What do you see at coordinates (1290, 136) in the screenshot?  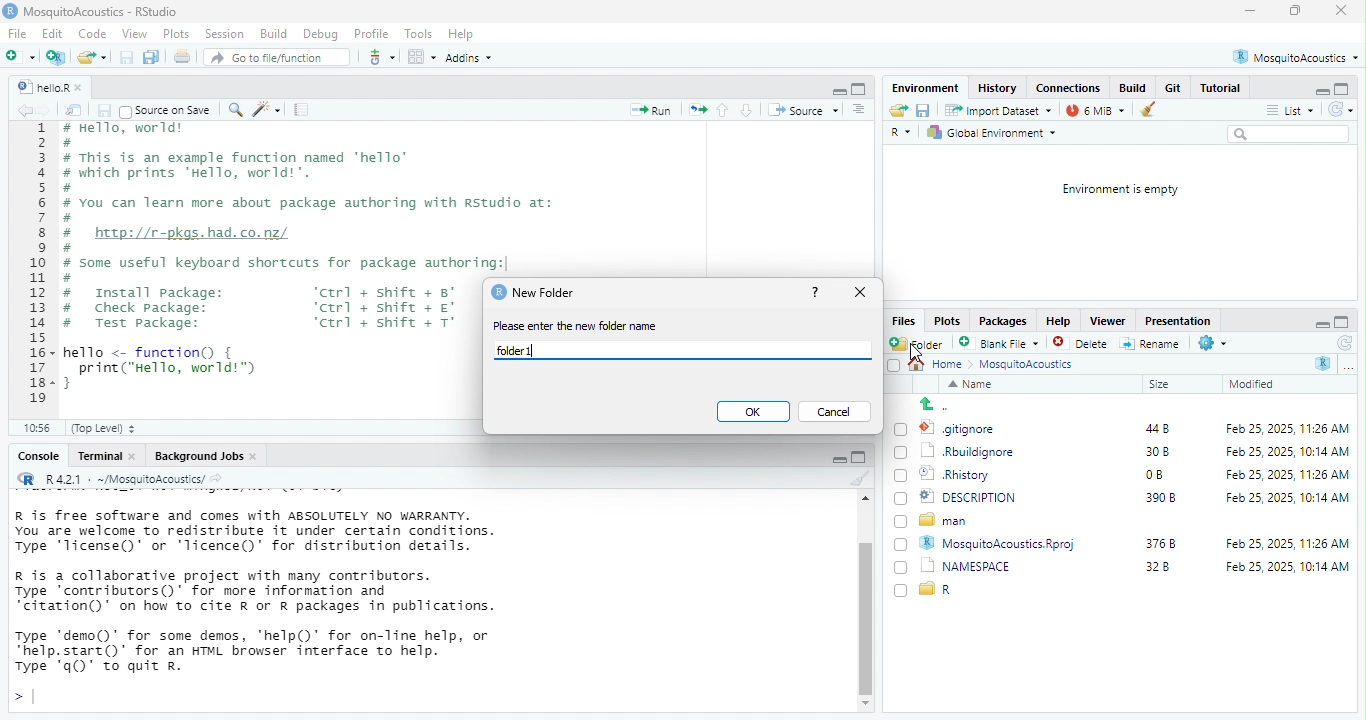 I see `search bar` at bounding box center [1290, 136].